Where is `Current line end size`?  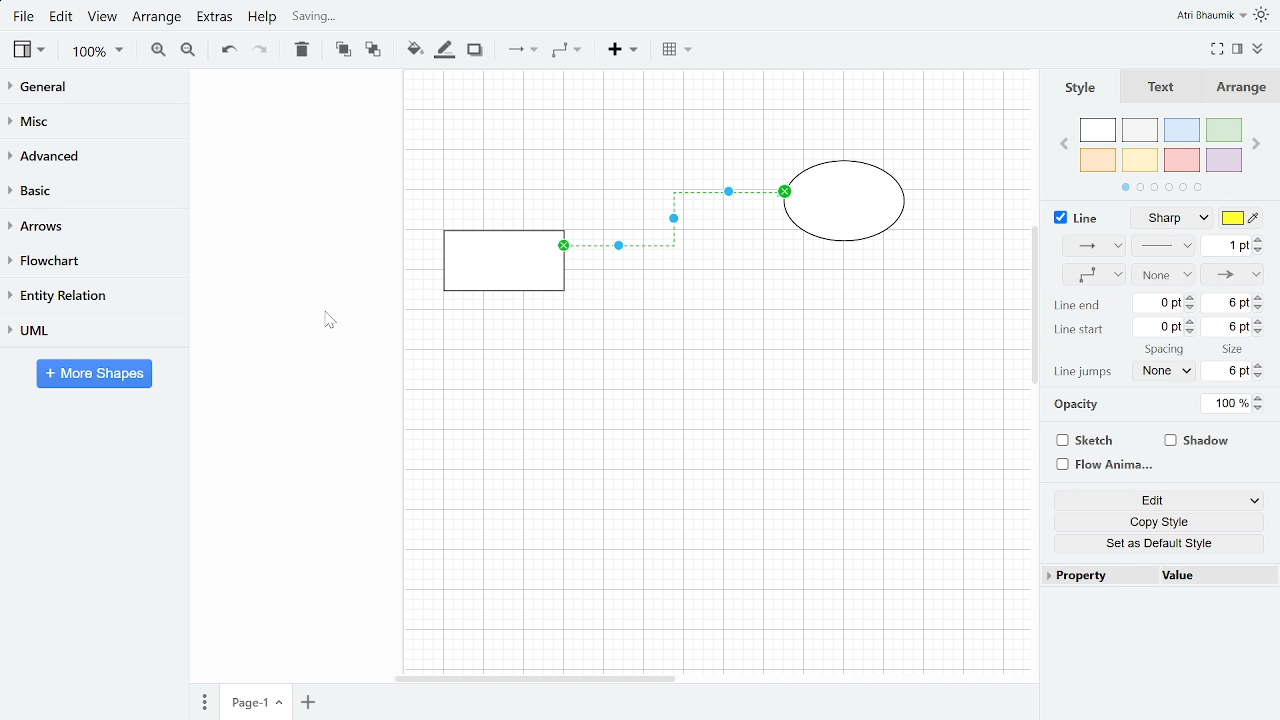 Current line end size is located at coordinates (1229, 305).